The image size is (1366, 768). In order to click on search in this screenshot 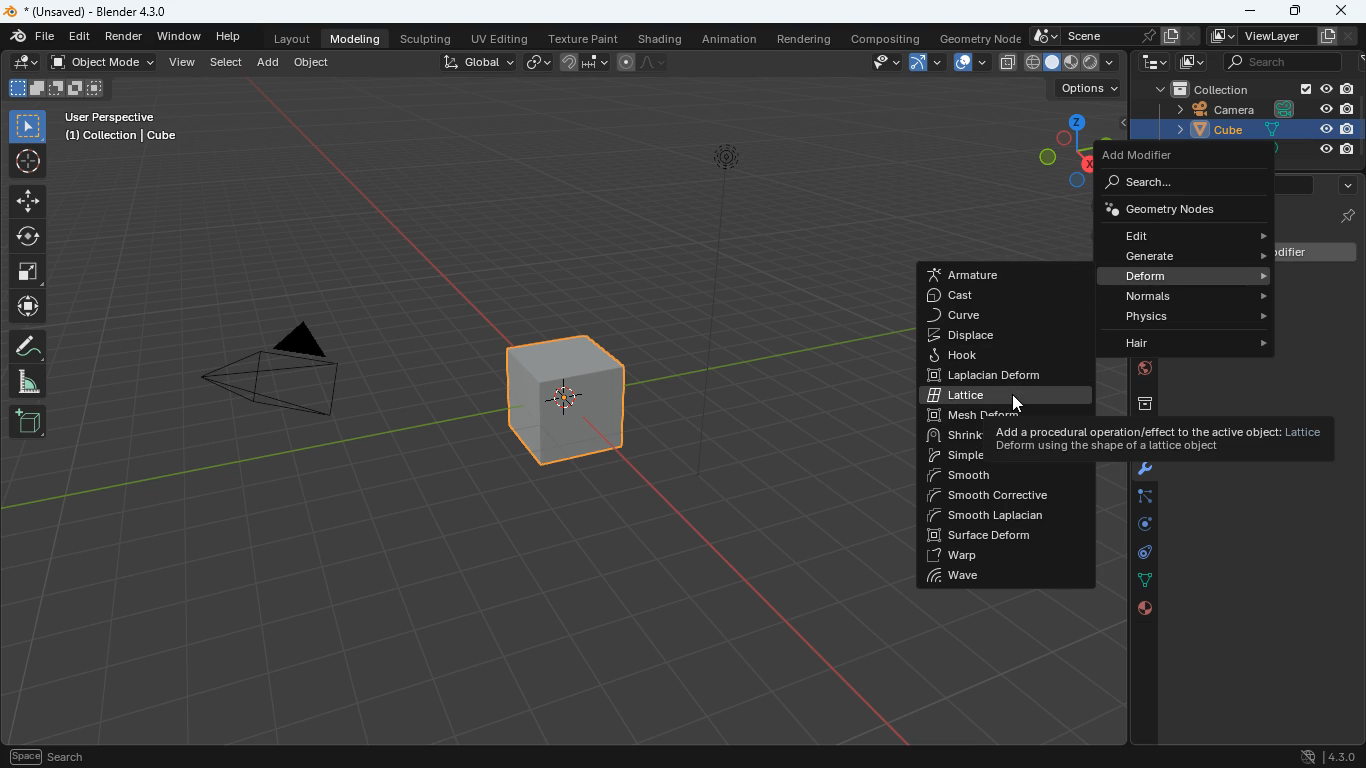, I will do `click(1174, 183)`.